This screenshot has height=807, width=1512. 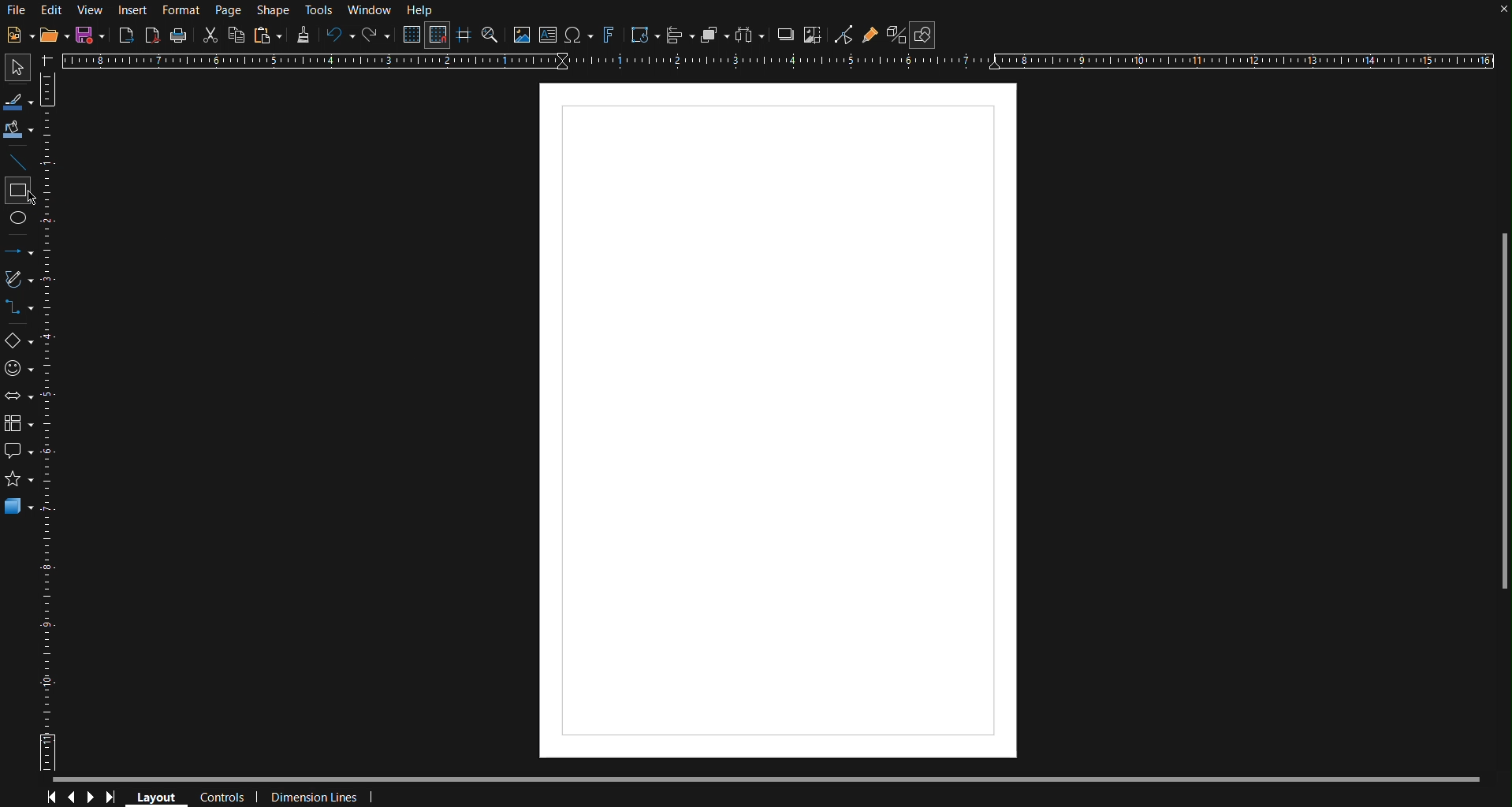 I want to click on Guidelines while moving, so click(x=464, y=34).